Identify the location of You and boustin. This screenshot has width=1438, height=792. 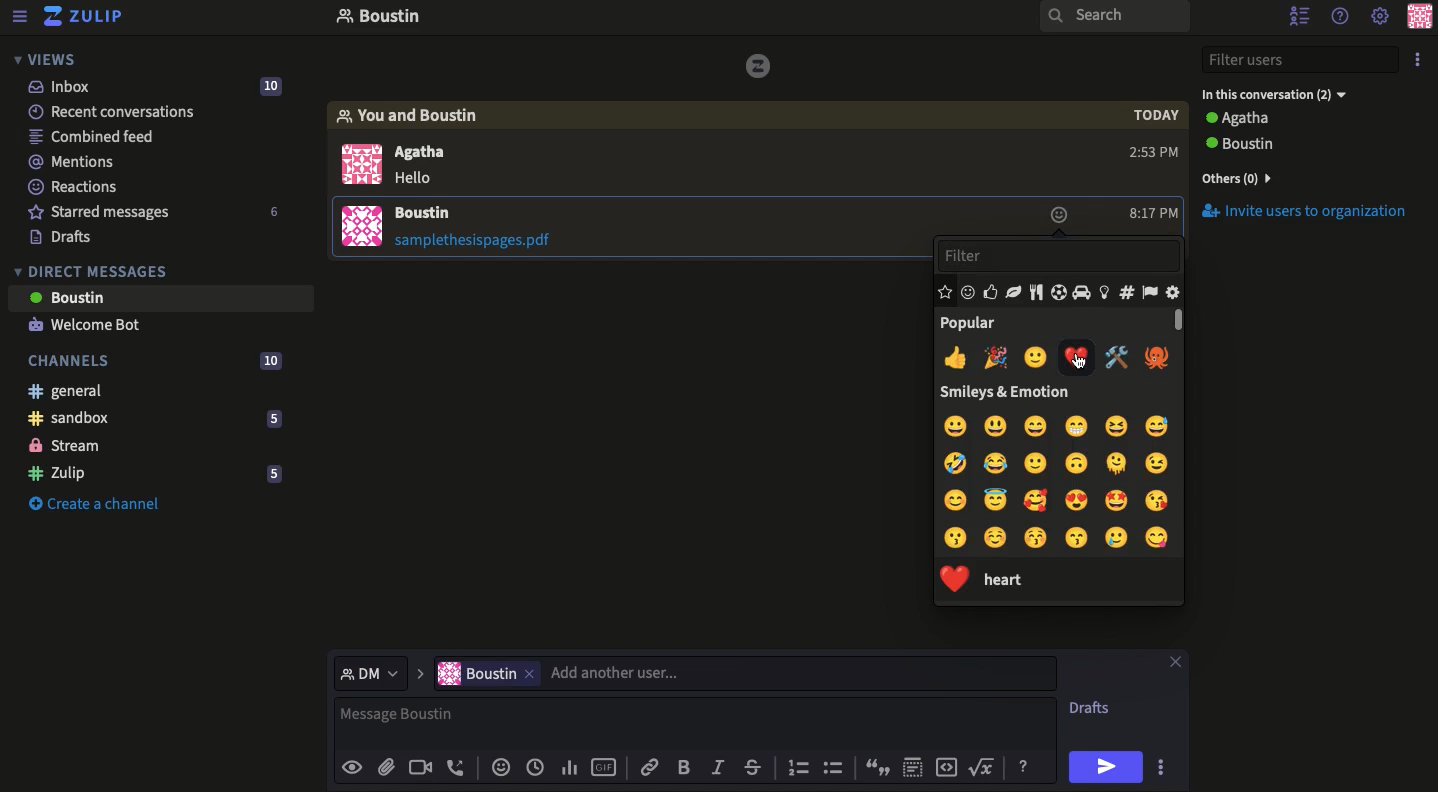
(417, 114).